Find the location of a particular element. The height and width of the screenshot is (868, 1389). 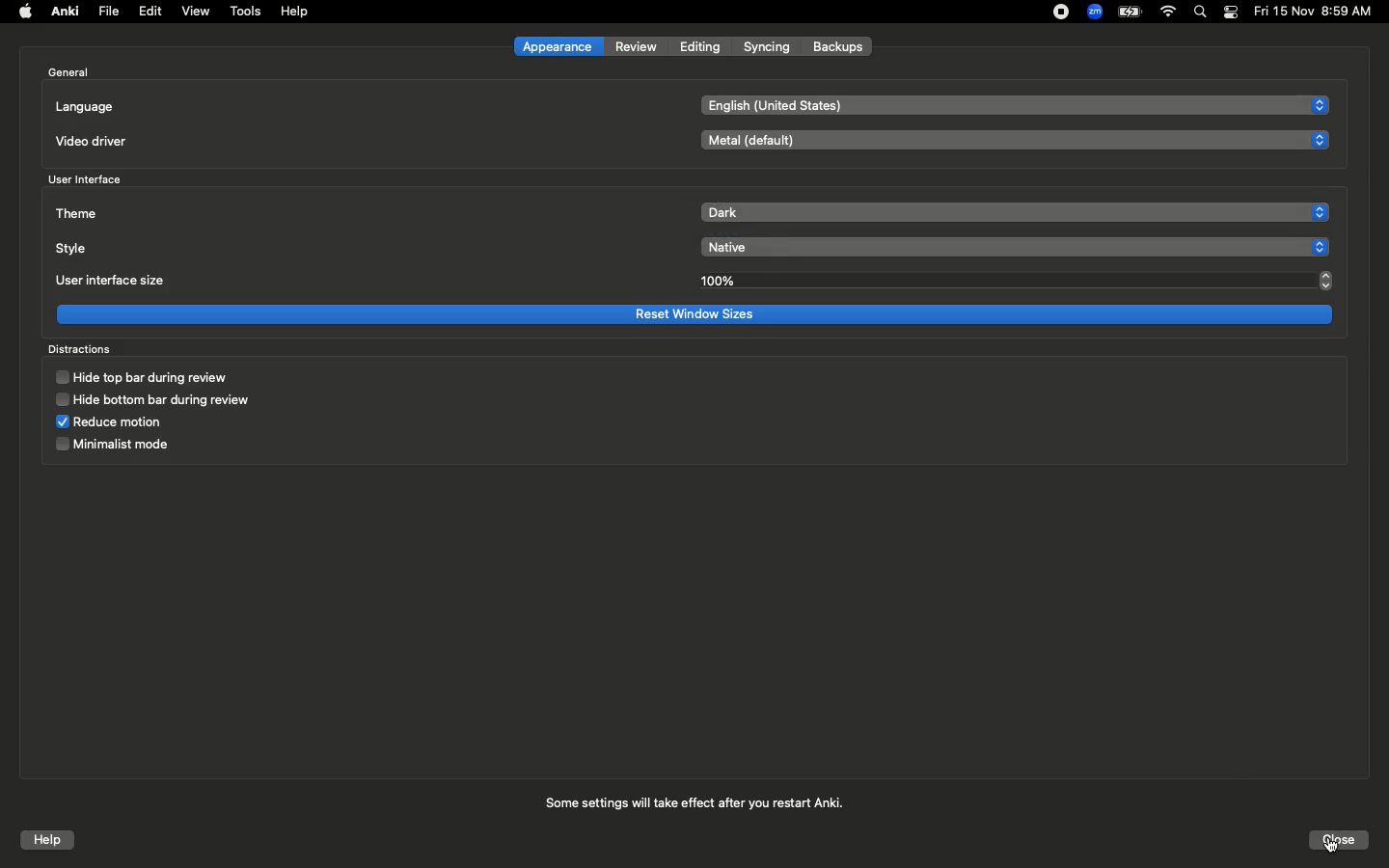

Date/time is located at coordinates (1313, 13).